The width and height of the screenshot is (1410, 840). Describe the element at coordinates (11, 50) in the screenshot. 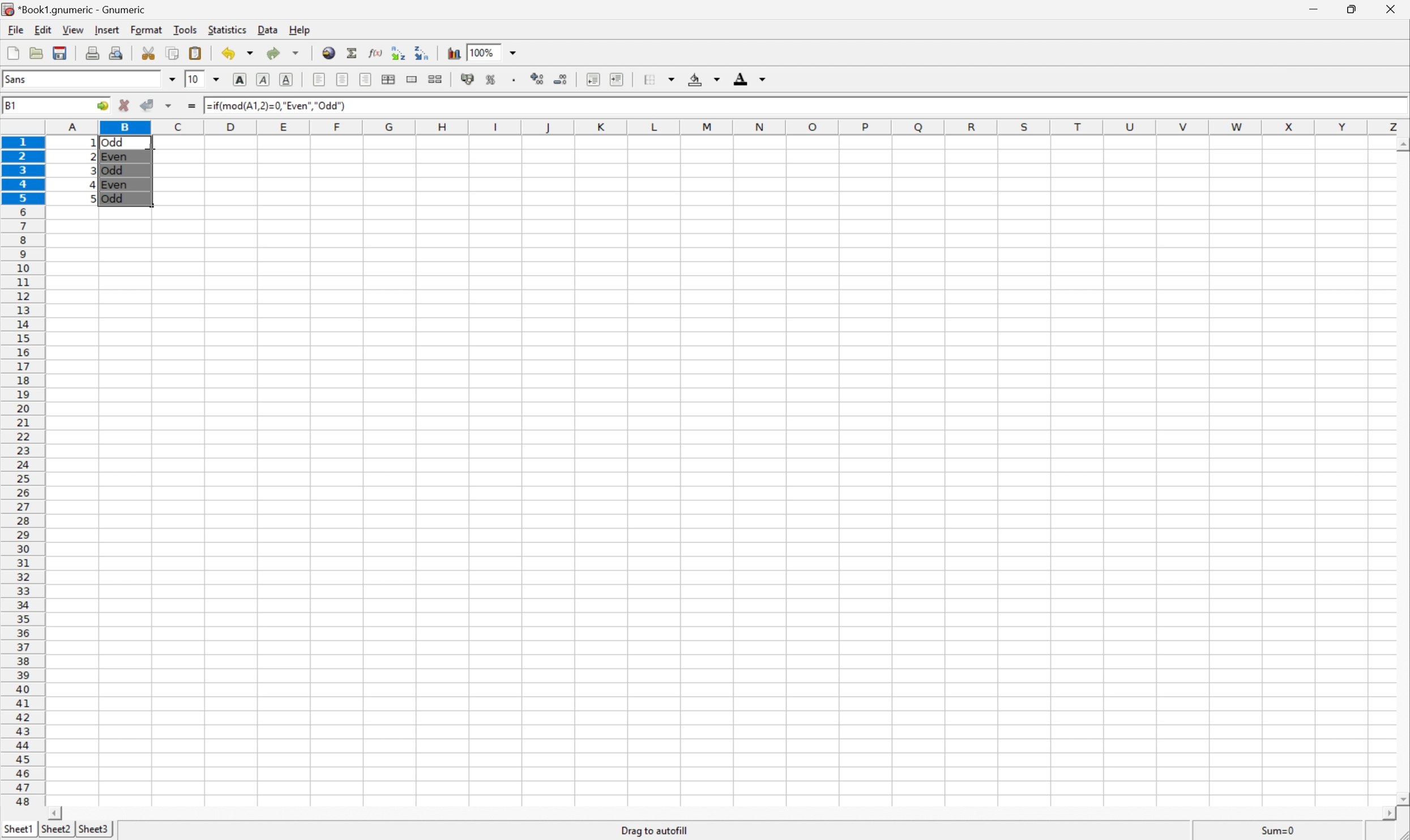

I see `Create new workbook` at that location.